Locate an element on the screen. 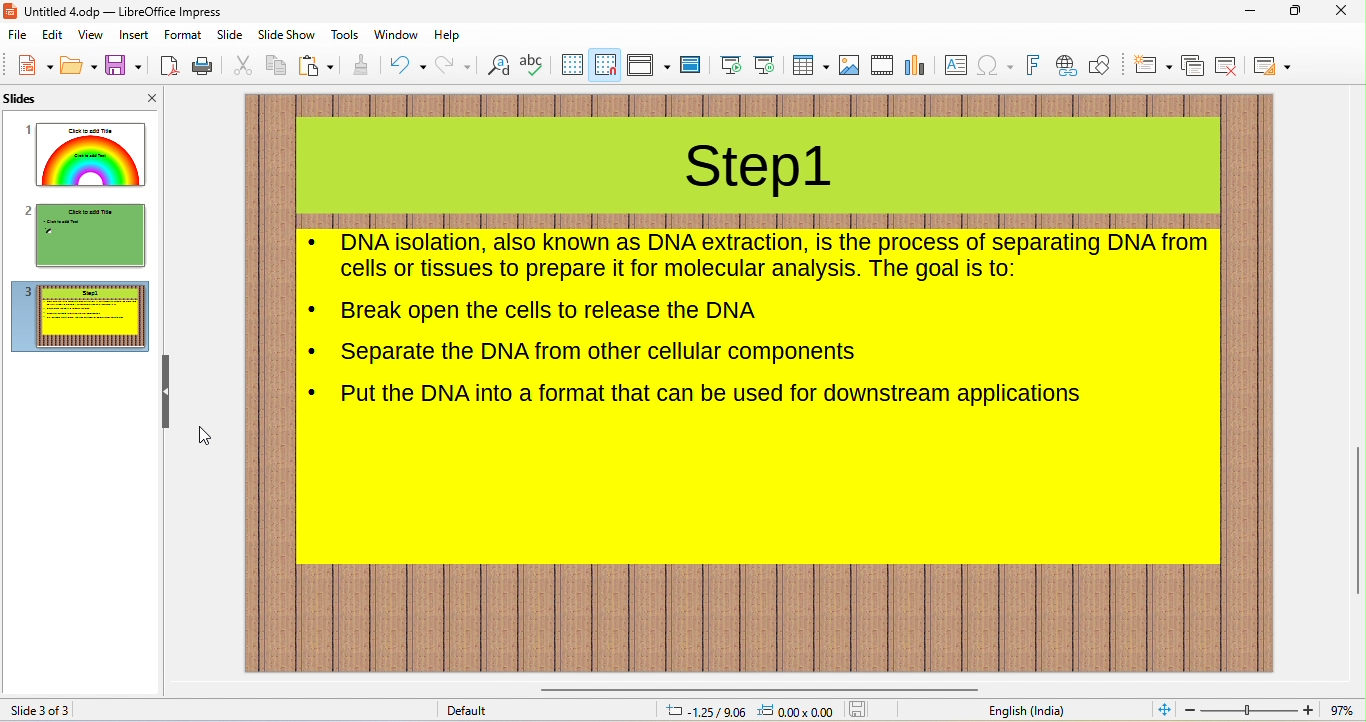 This screenshot has height=722, width=1366. special characters is located at coordinates (995, 67).